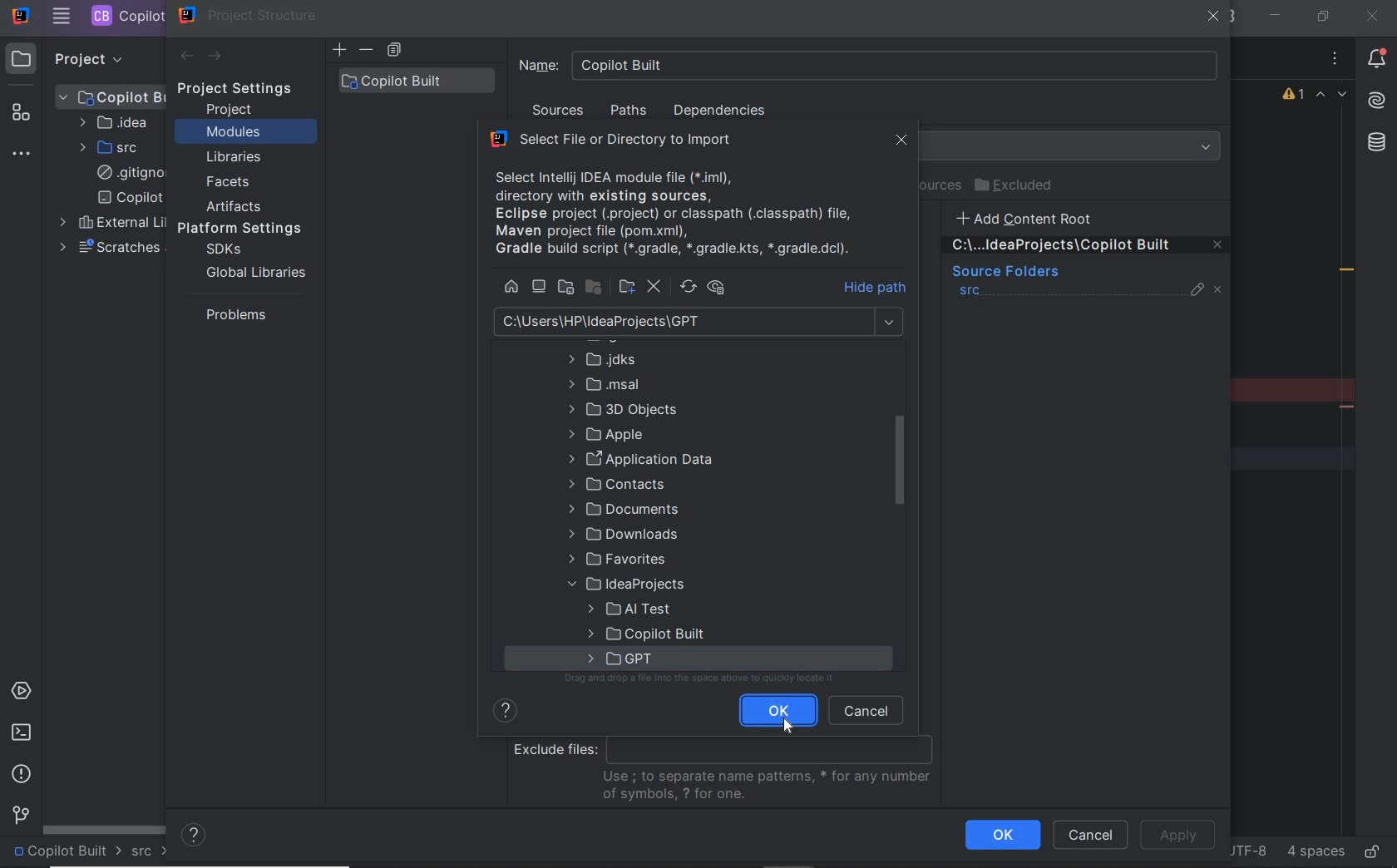  Describe the element at coordinates (1090, 836) in the screenshot. I see `cancel` at that location.